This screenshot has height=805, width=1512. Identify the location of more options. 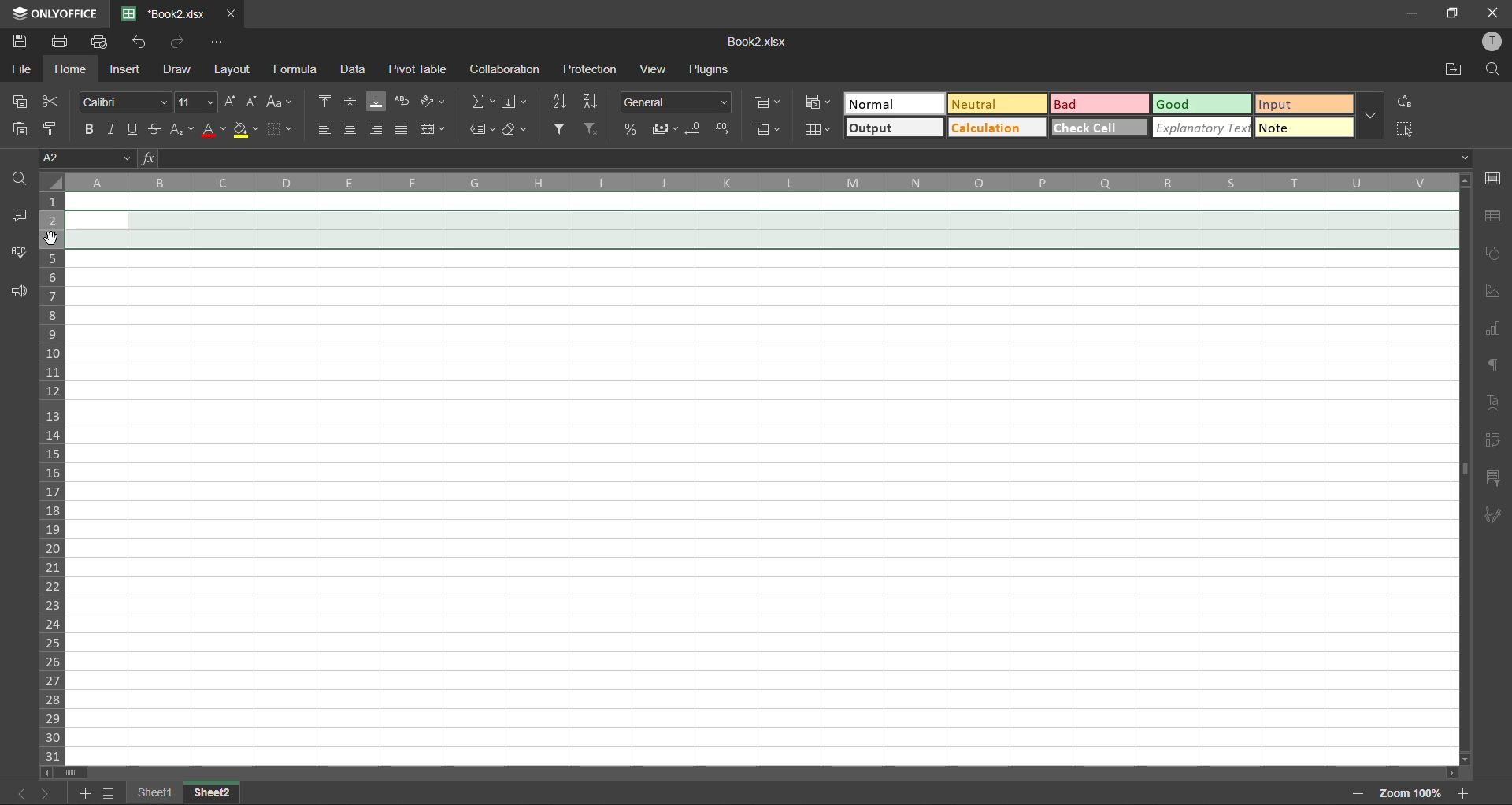
(1368, 116).